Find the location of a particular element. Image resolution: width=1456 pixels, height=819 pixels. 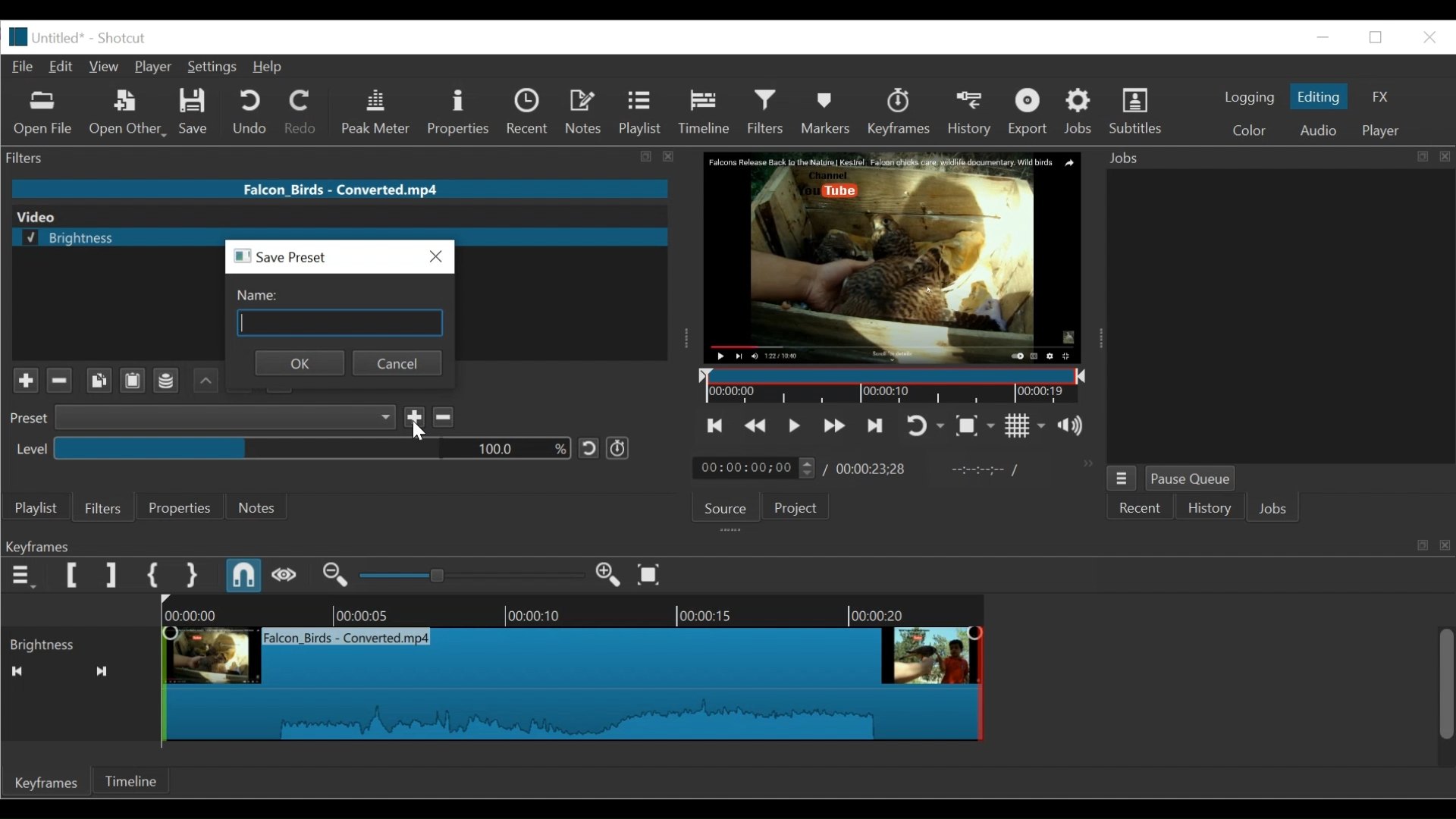

Toggle play or pause (space) is located at coordinates (794, 425).